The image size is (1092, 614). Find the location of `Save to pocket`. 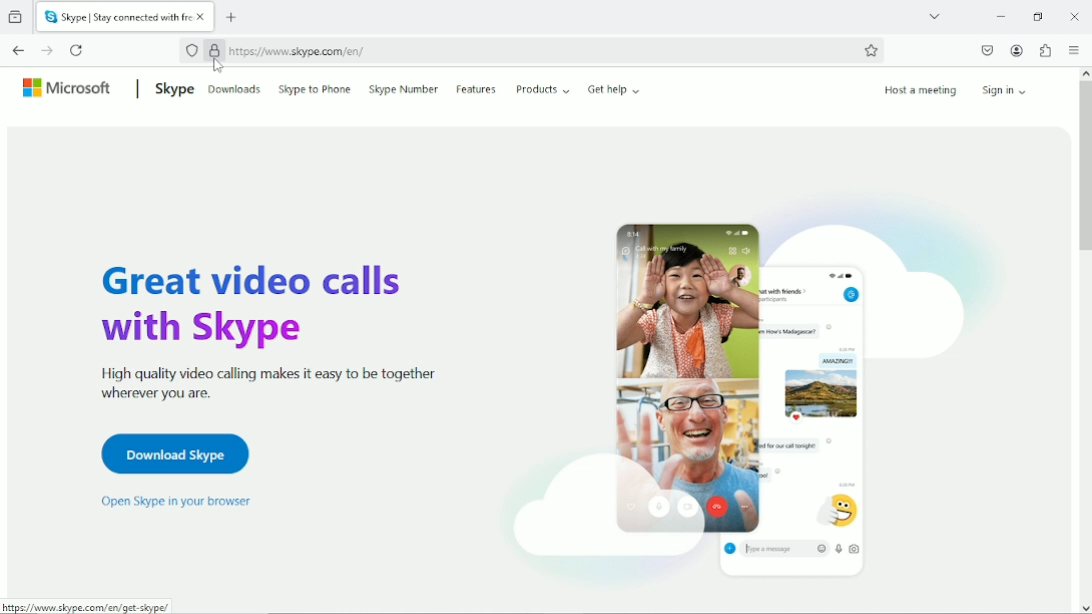

Save to pocket is located at coordinates (986, 50).